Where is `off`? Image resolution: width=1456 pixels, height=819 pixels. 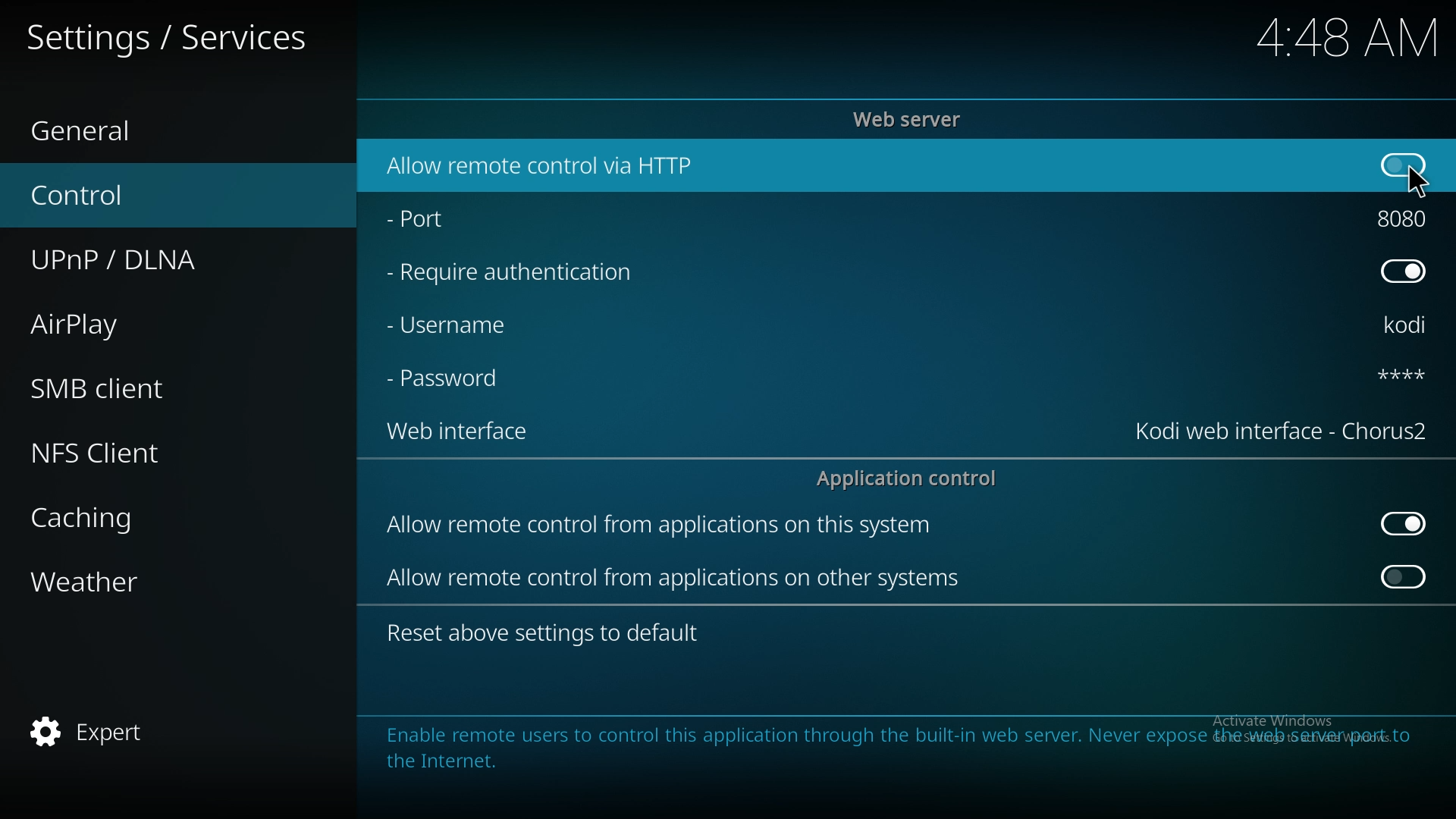
off is located at coordinates (1407, 271).